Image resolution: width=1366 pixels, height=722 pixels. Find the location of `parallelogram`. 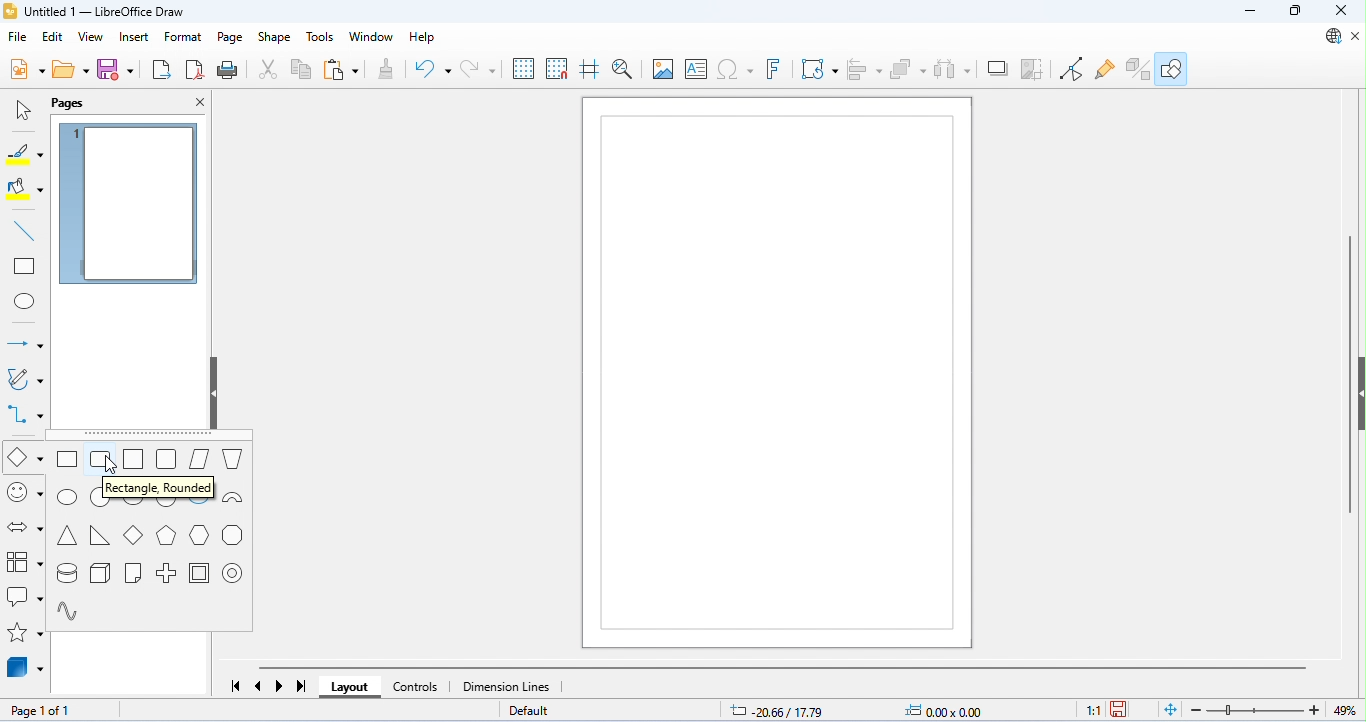

parallelogram is located at coordinates (200, 460).